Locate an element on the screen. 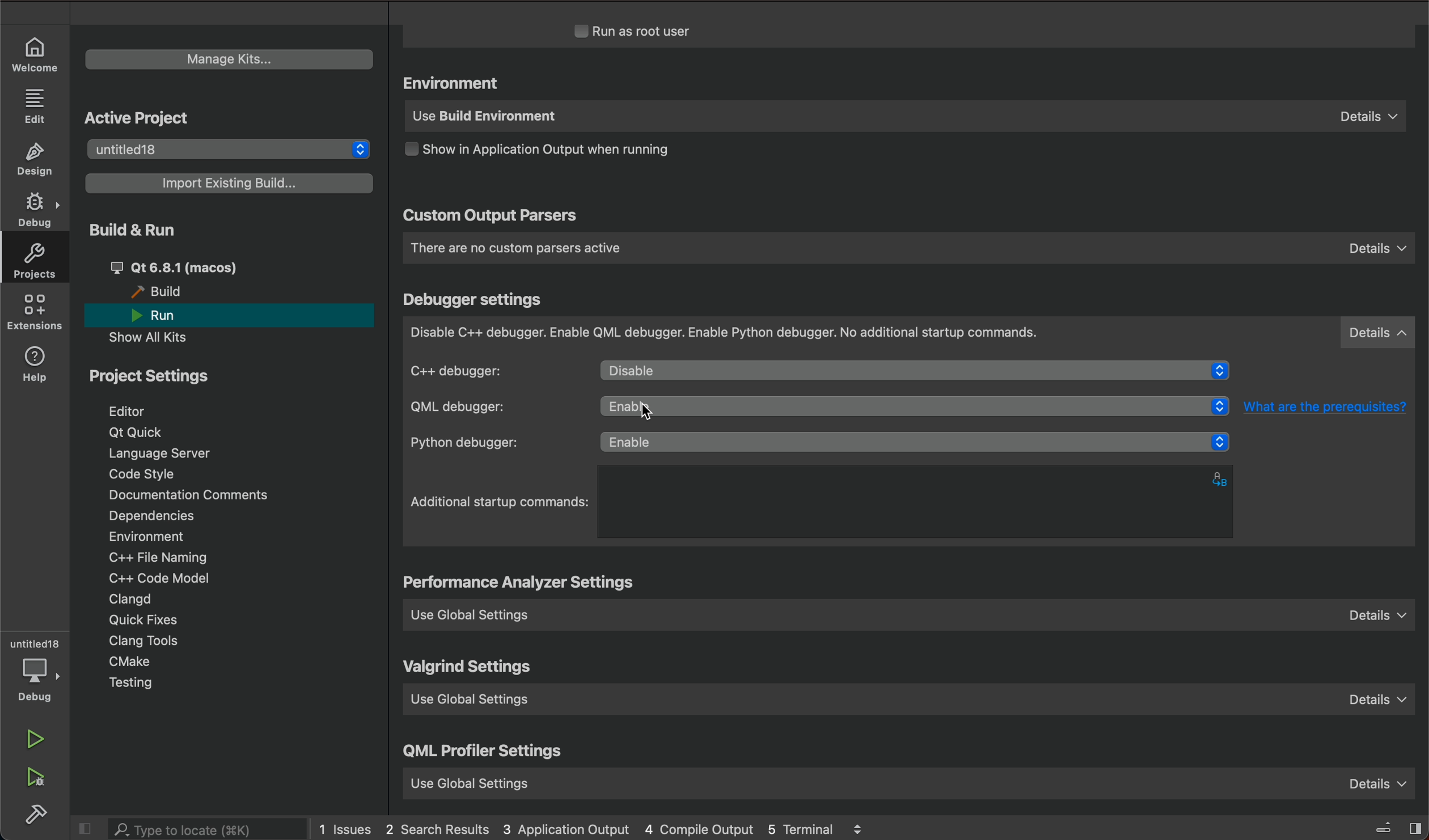  dependencies is located at coordinates (150, 515).